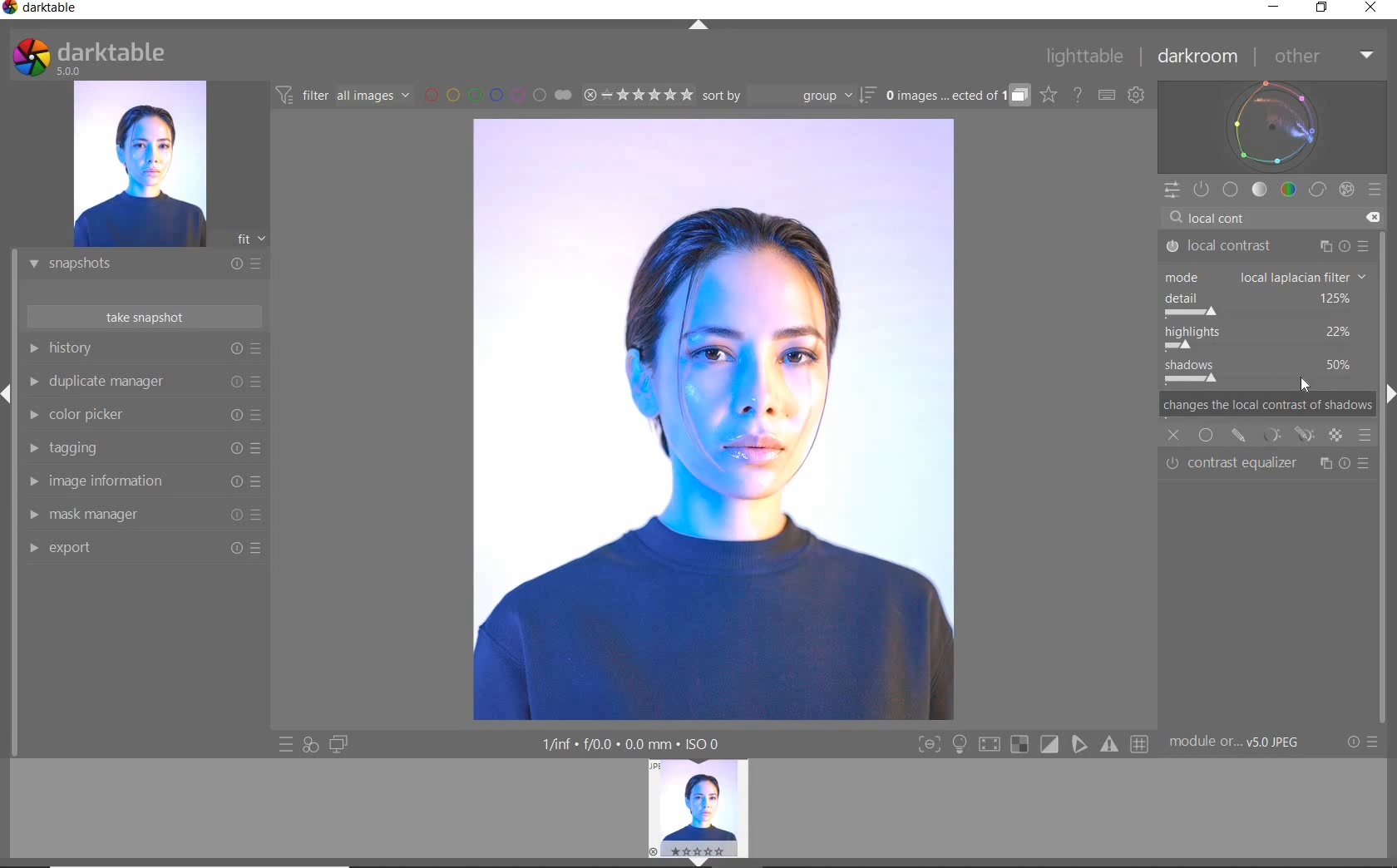  What do you see at coordinates (1267, 247) in the screenshot?
I see `LOCAL CONTRAST` at bounding box center [1267, 247].